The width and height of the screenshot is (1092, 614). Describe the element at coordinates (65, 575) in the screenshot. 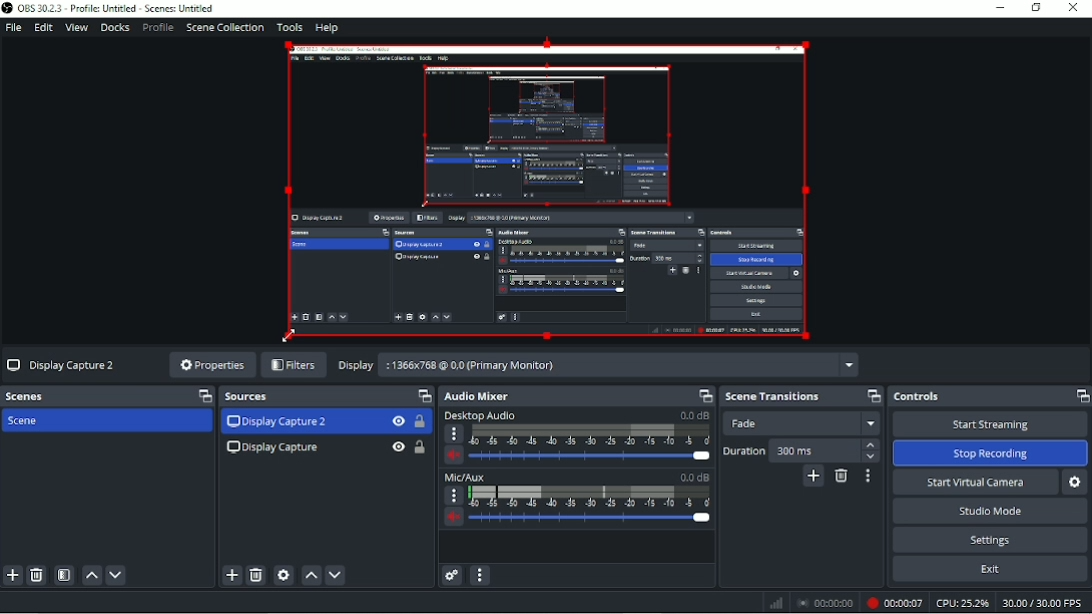

I see `Open scene filters` at that location.